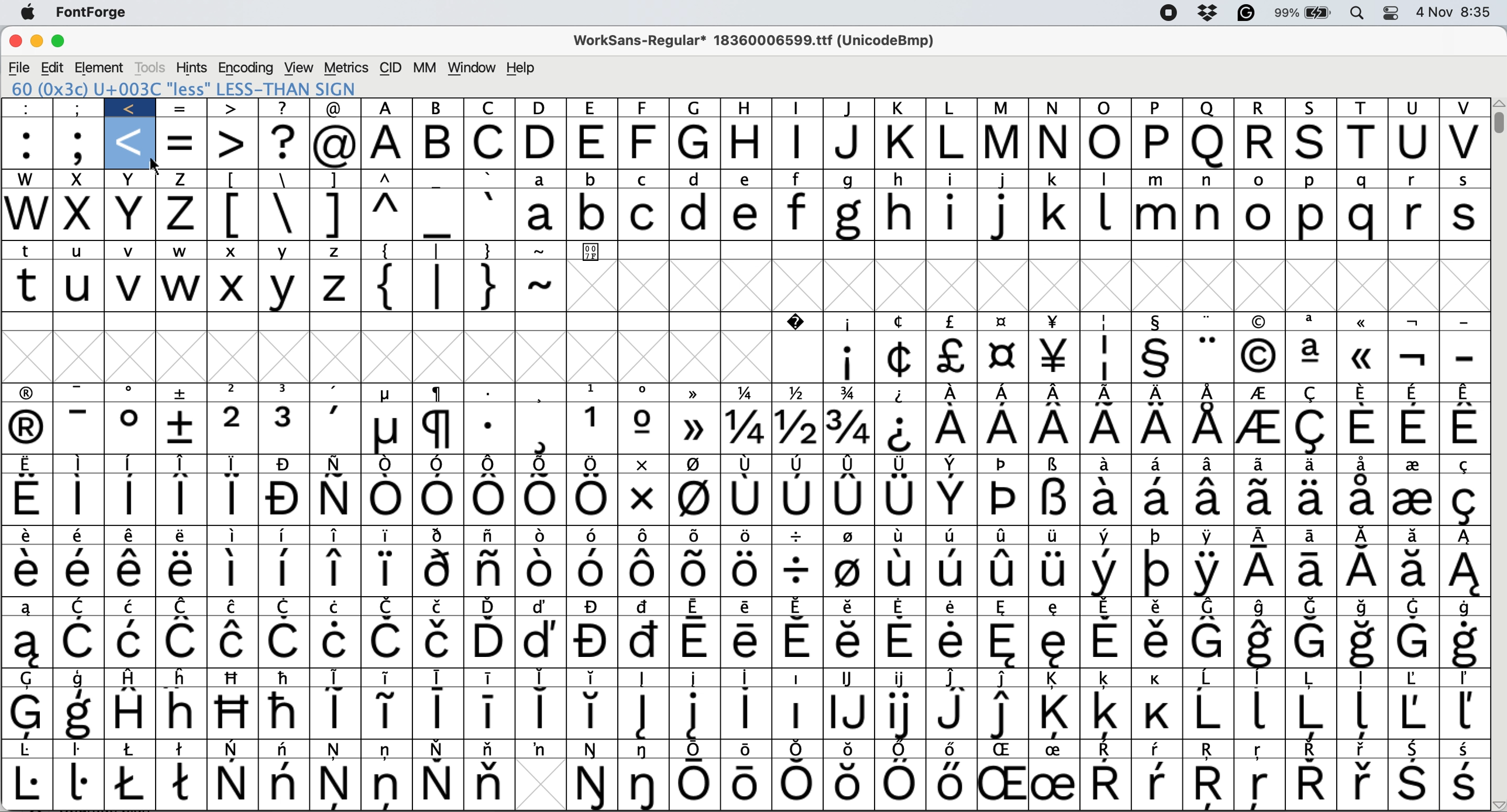 Image resolution: width=1507 pixels, height=812 pixels. Describe the element at coordinates (799, 465) in the screenshot. I see `Symbol` at that location.